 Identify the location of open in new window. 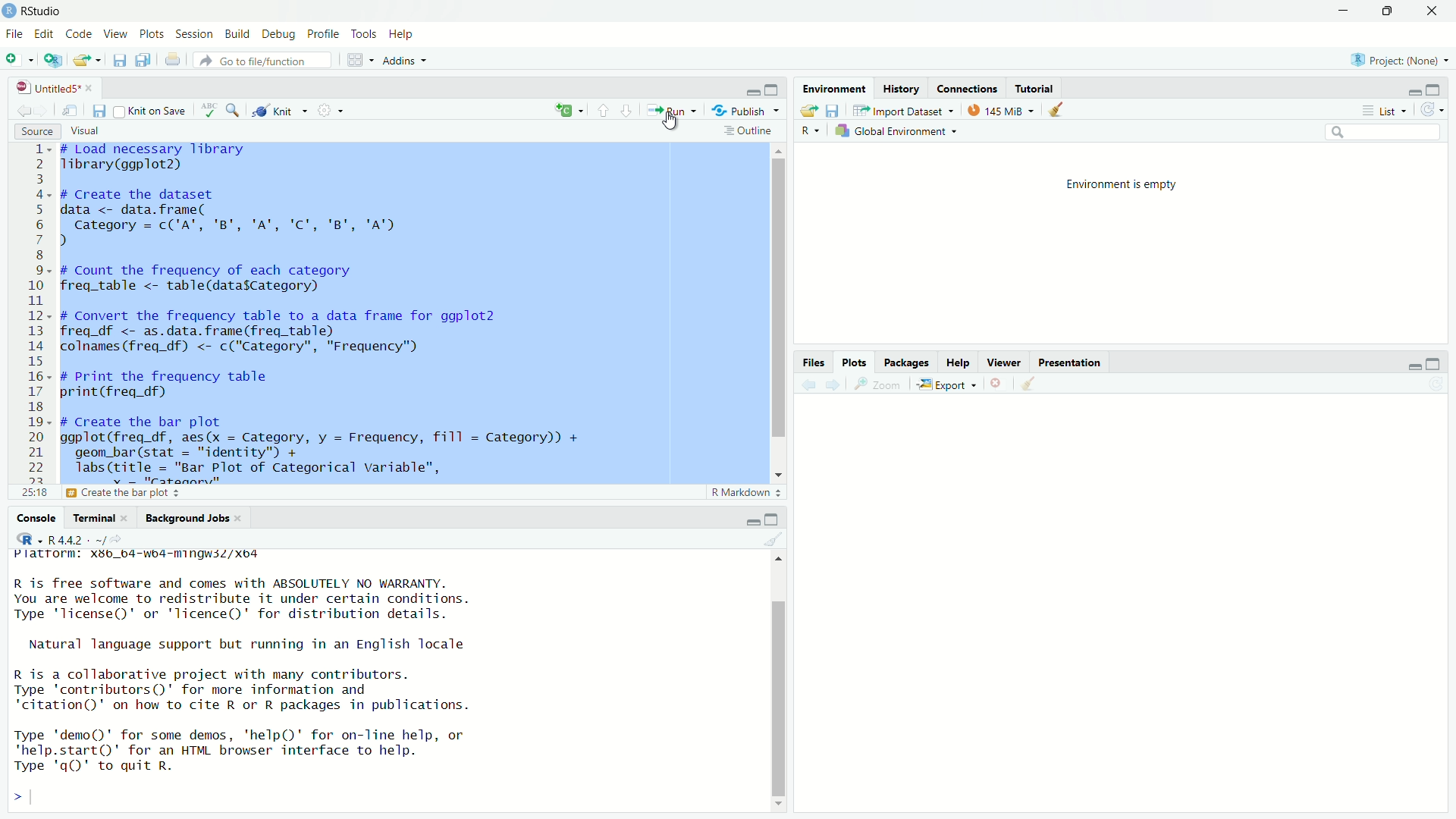
(52, 61).